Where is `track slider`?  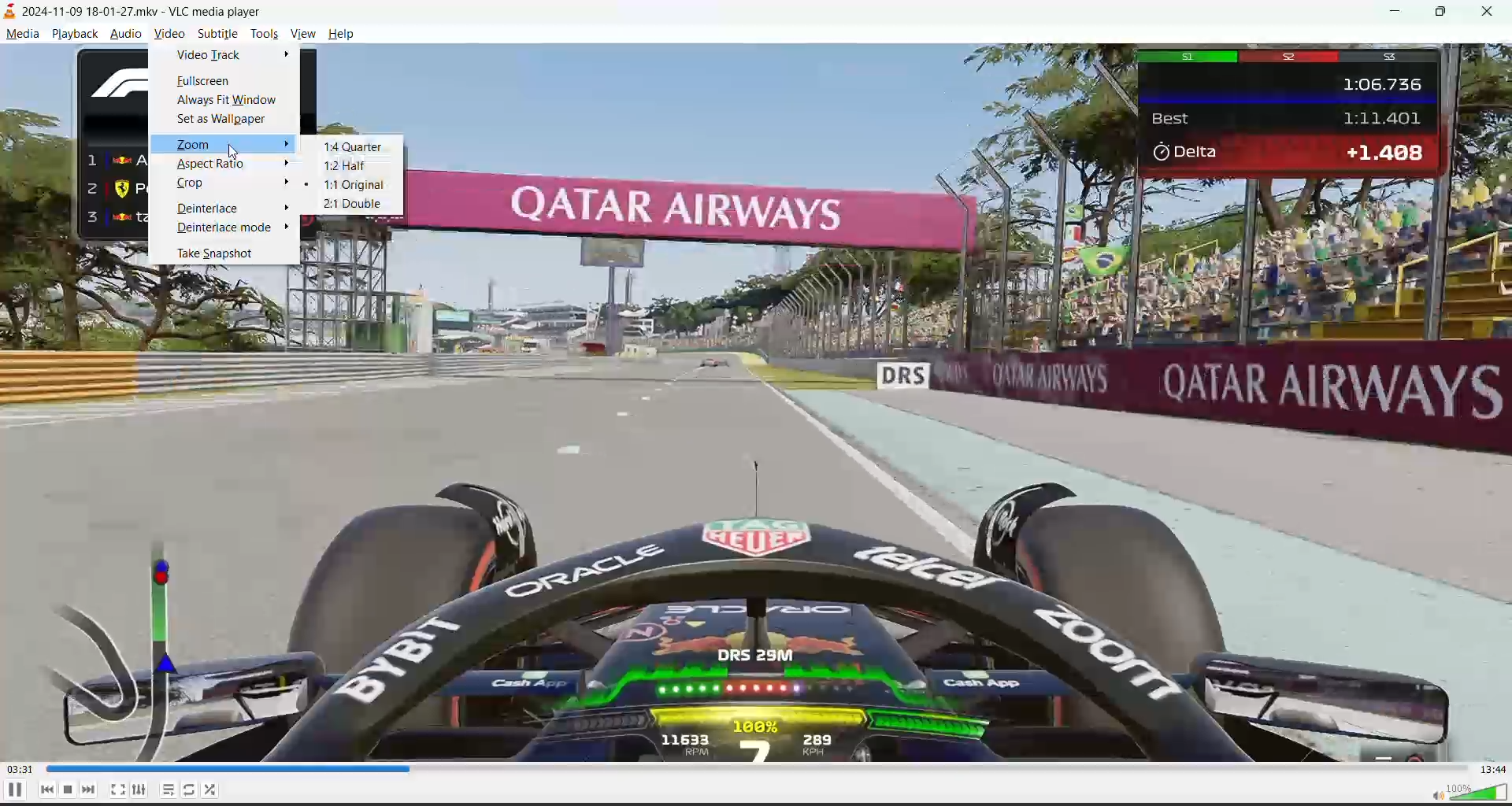 track slider is located at coordinates (750, 769).